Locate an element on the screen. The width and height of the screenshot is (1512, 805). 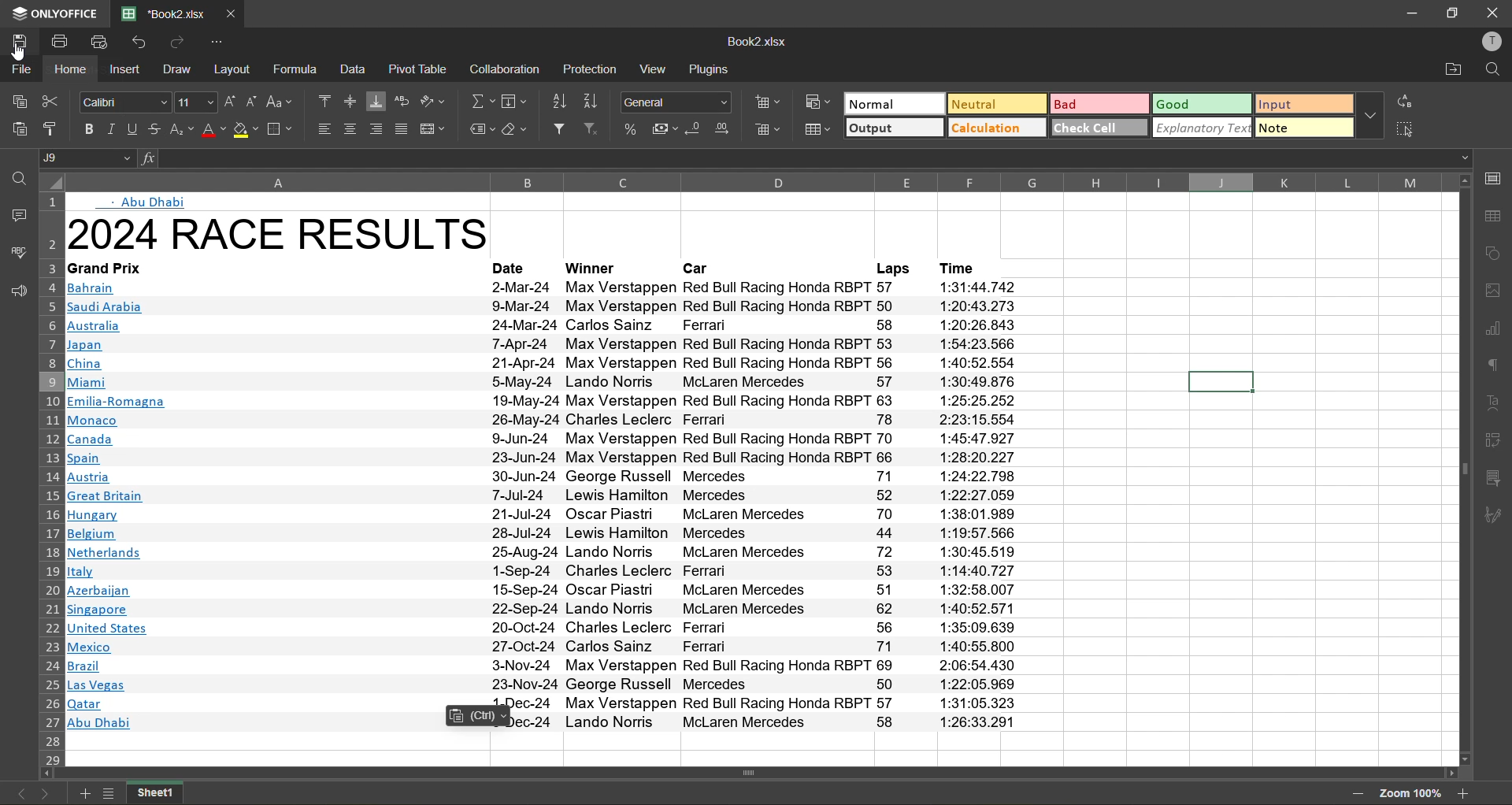
explanatory text is located at coordinates (1203, 129).